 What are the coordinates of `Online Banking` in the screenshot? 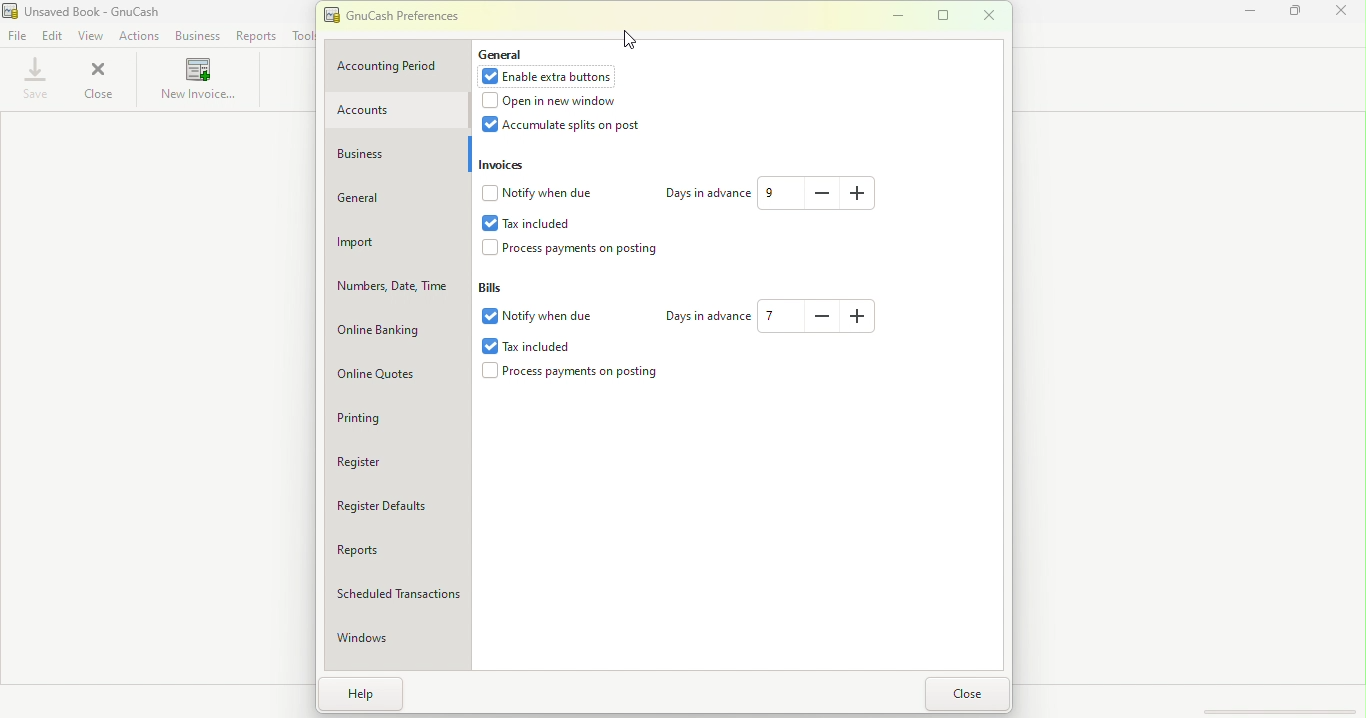 It's located at (386, 327).